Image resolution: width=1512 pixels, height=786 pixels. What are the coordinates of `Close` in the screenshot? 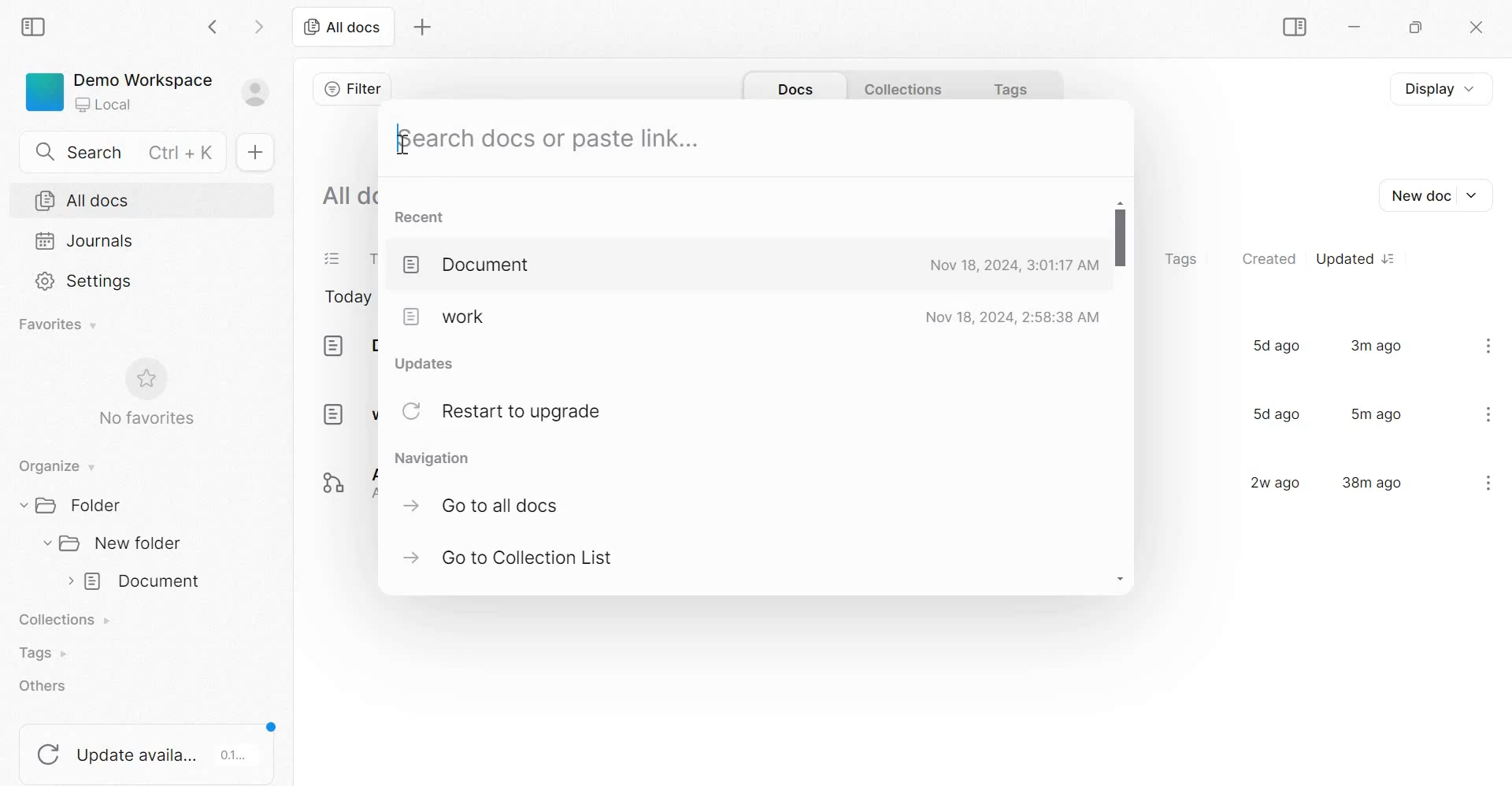 It's located at (1473, 28).